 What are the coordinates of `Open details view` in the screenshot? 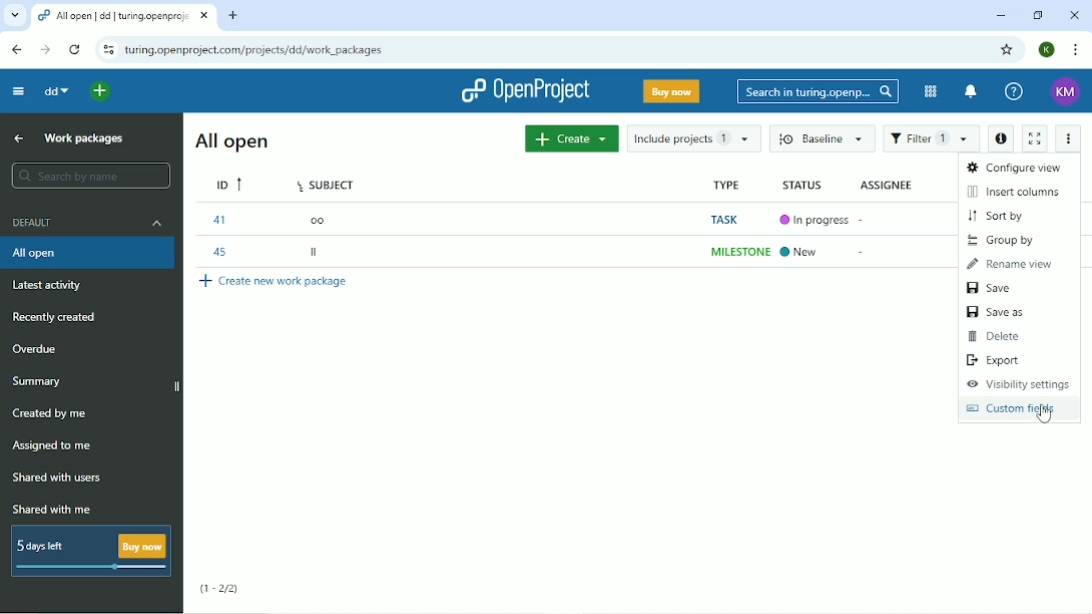 It's located at (1002, 137).